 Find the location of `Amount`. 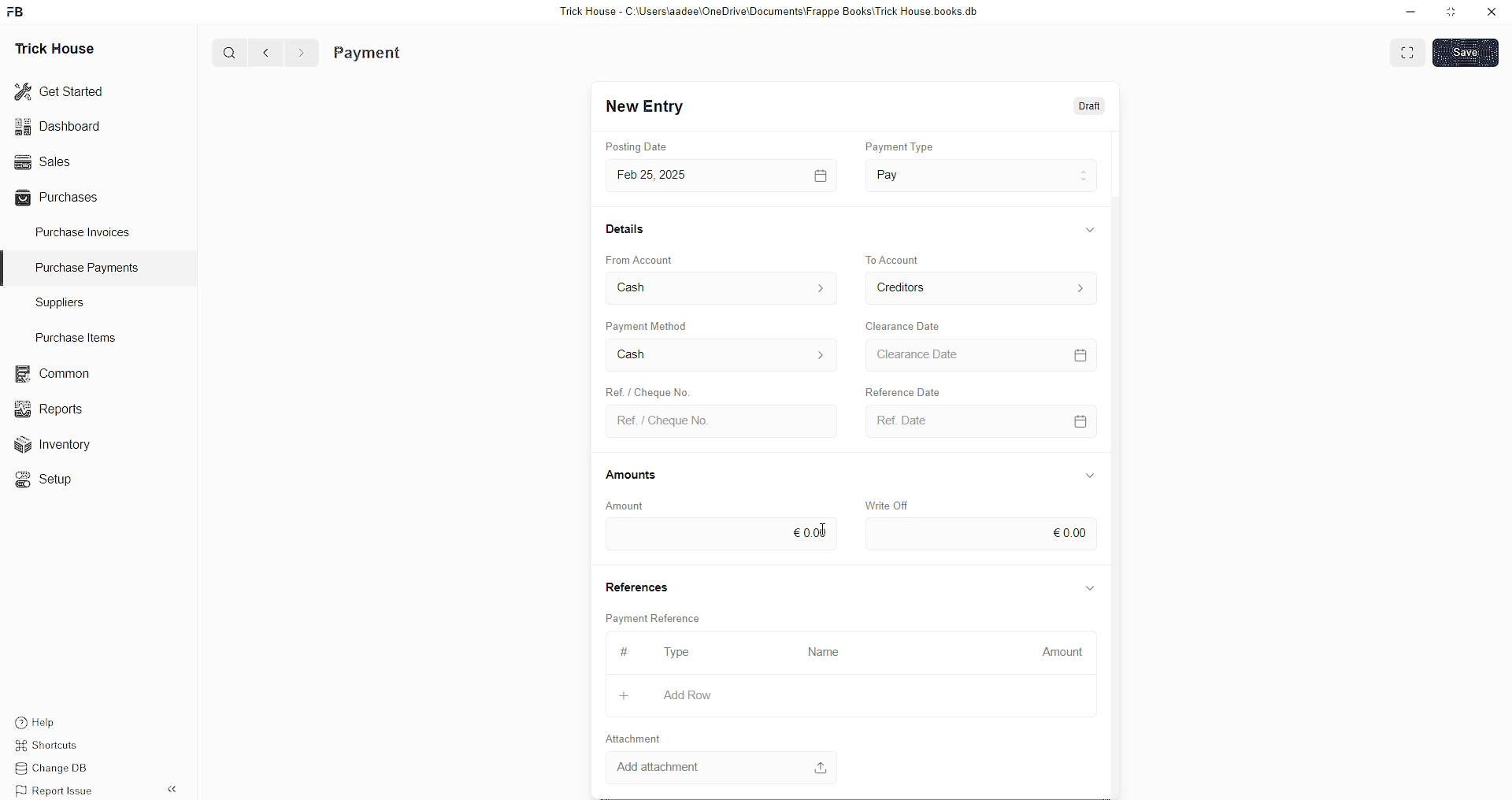

Amount is located at coordinates (1056, 651).